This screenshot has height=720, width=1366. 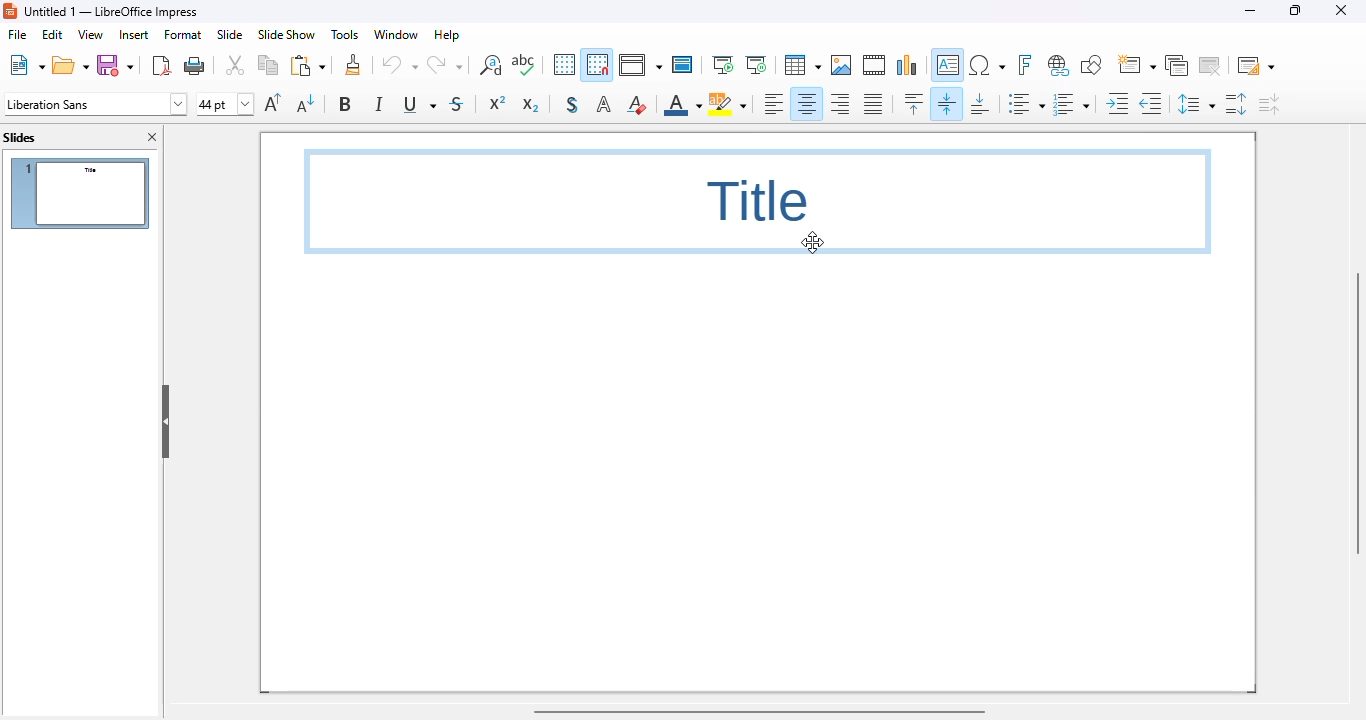 I want to click on set line spacing, so click(x=1195, y=104).